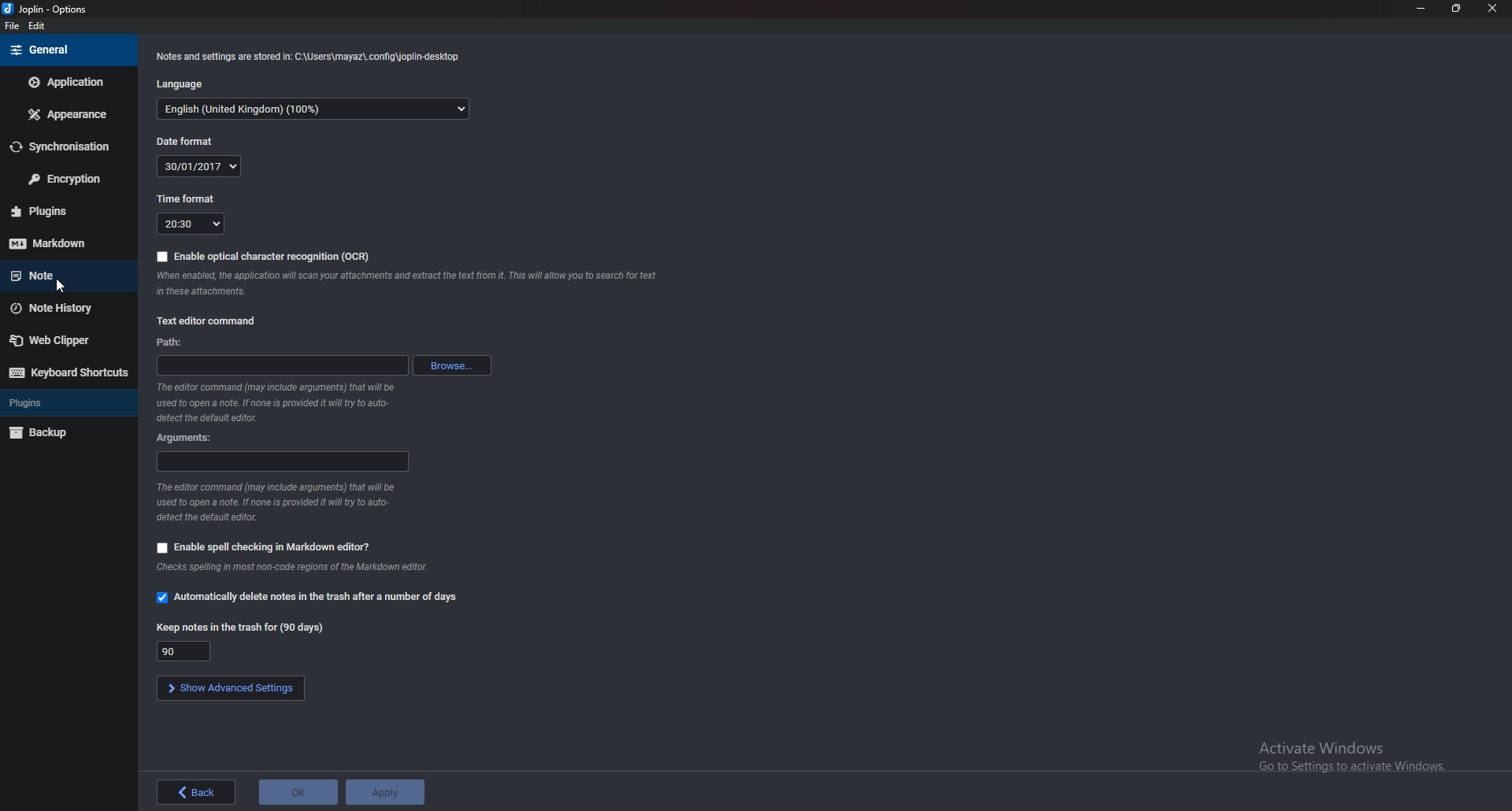 This screenshot has width=1512, height=811. I want to click on Synchronization, so click(64, 147).